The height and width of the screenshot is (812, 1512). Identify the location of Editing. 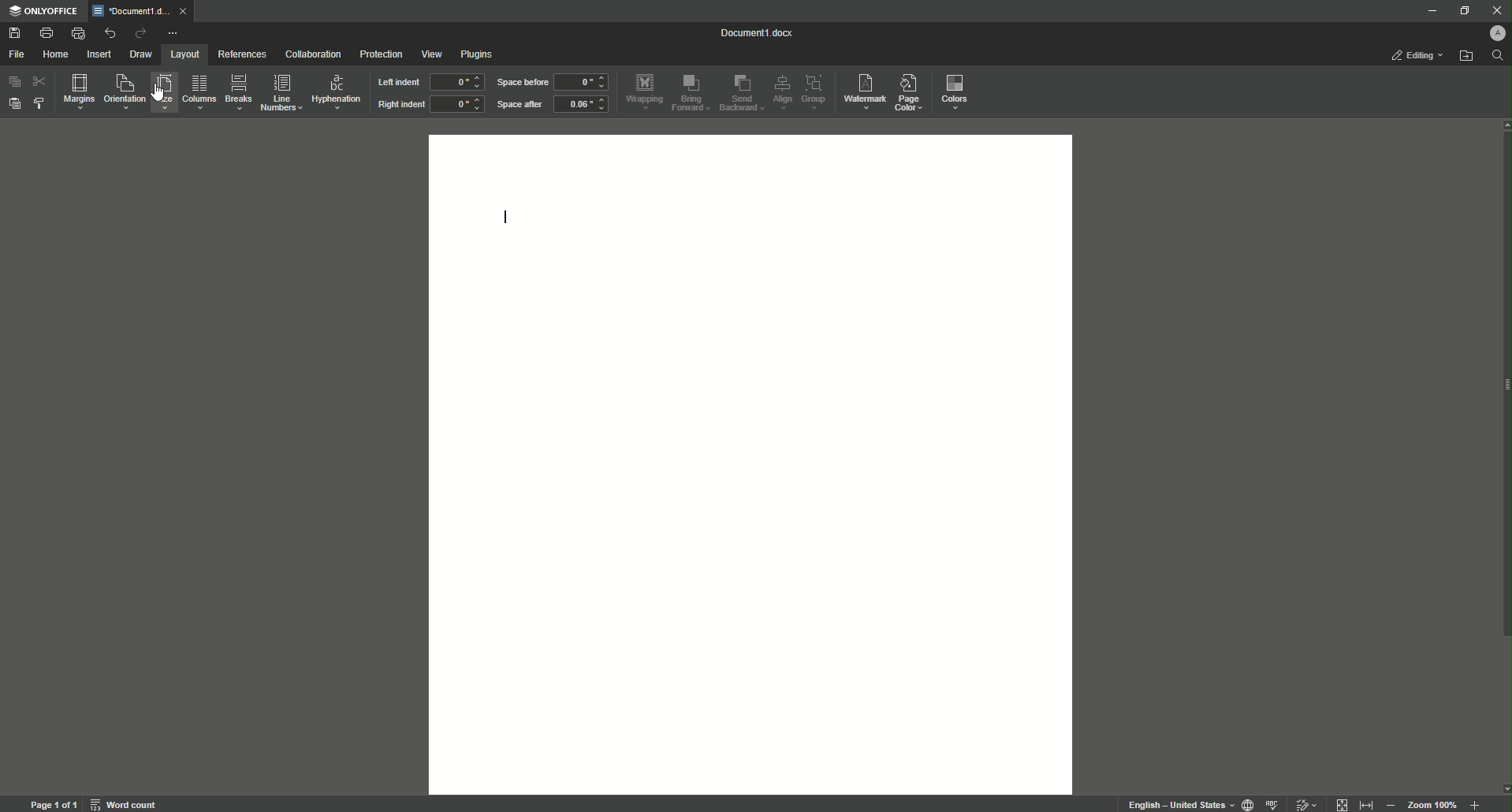
(1414, 56).